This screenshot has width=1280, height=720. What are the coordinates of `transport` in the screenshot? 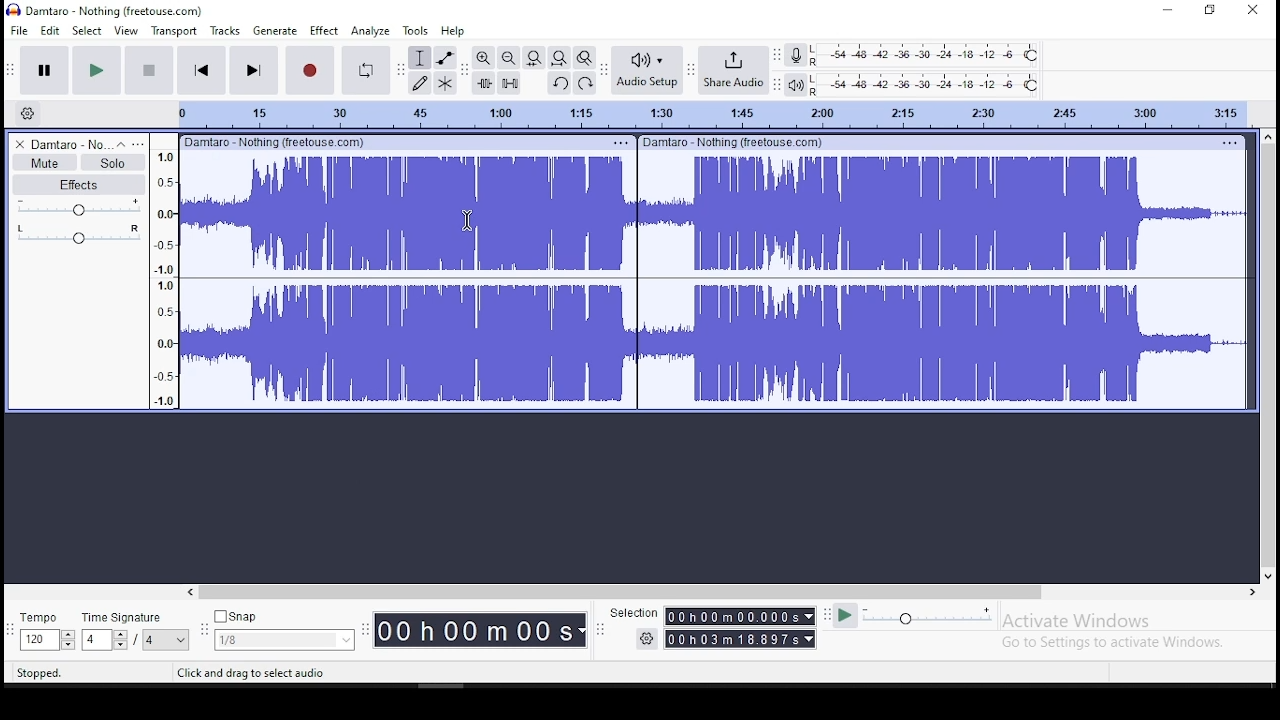 It's located at (173, 30).